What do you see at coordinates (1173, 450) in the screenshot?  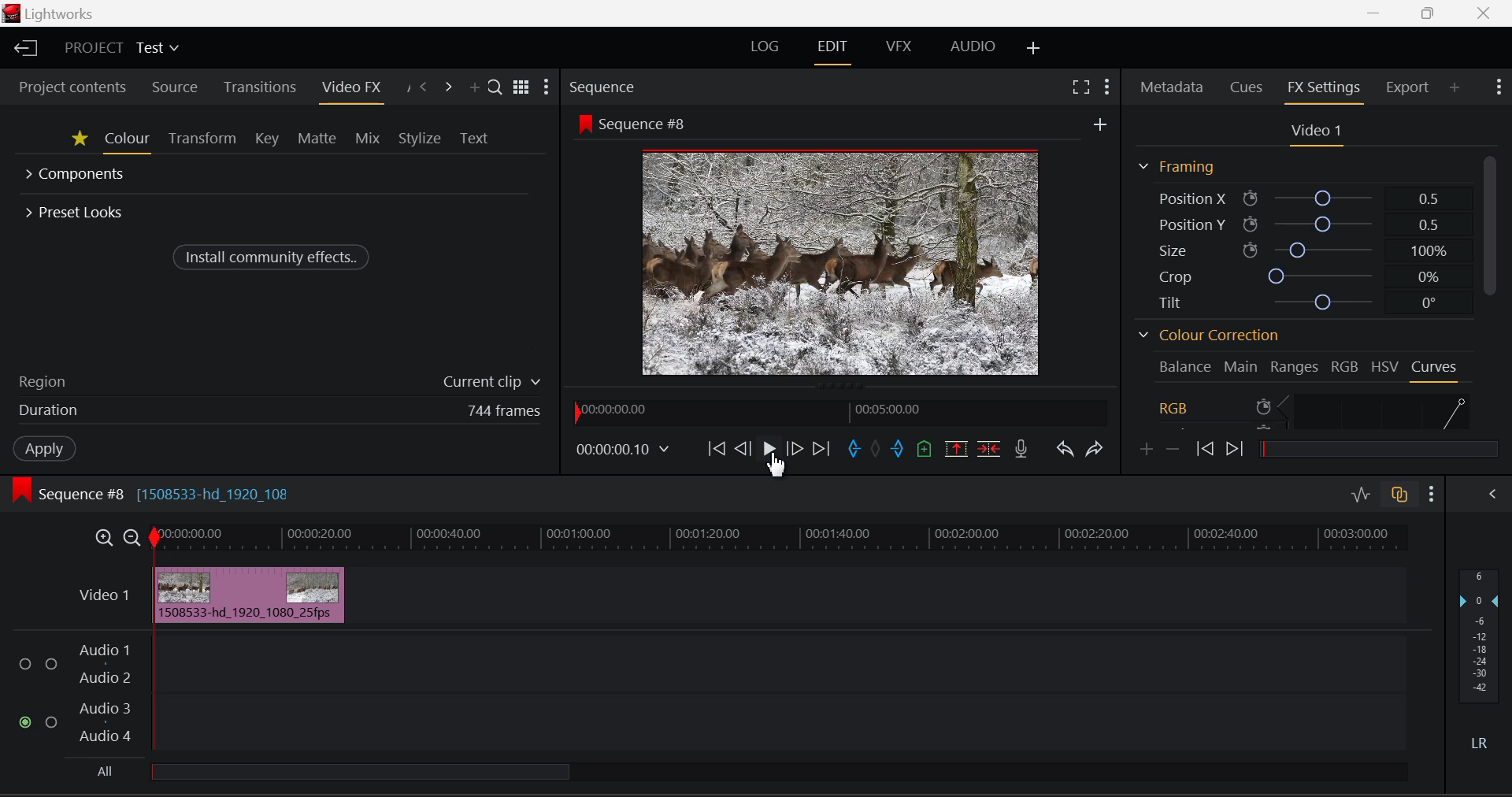 I see `Remove keyframe` at bounding box center [1173, 450].